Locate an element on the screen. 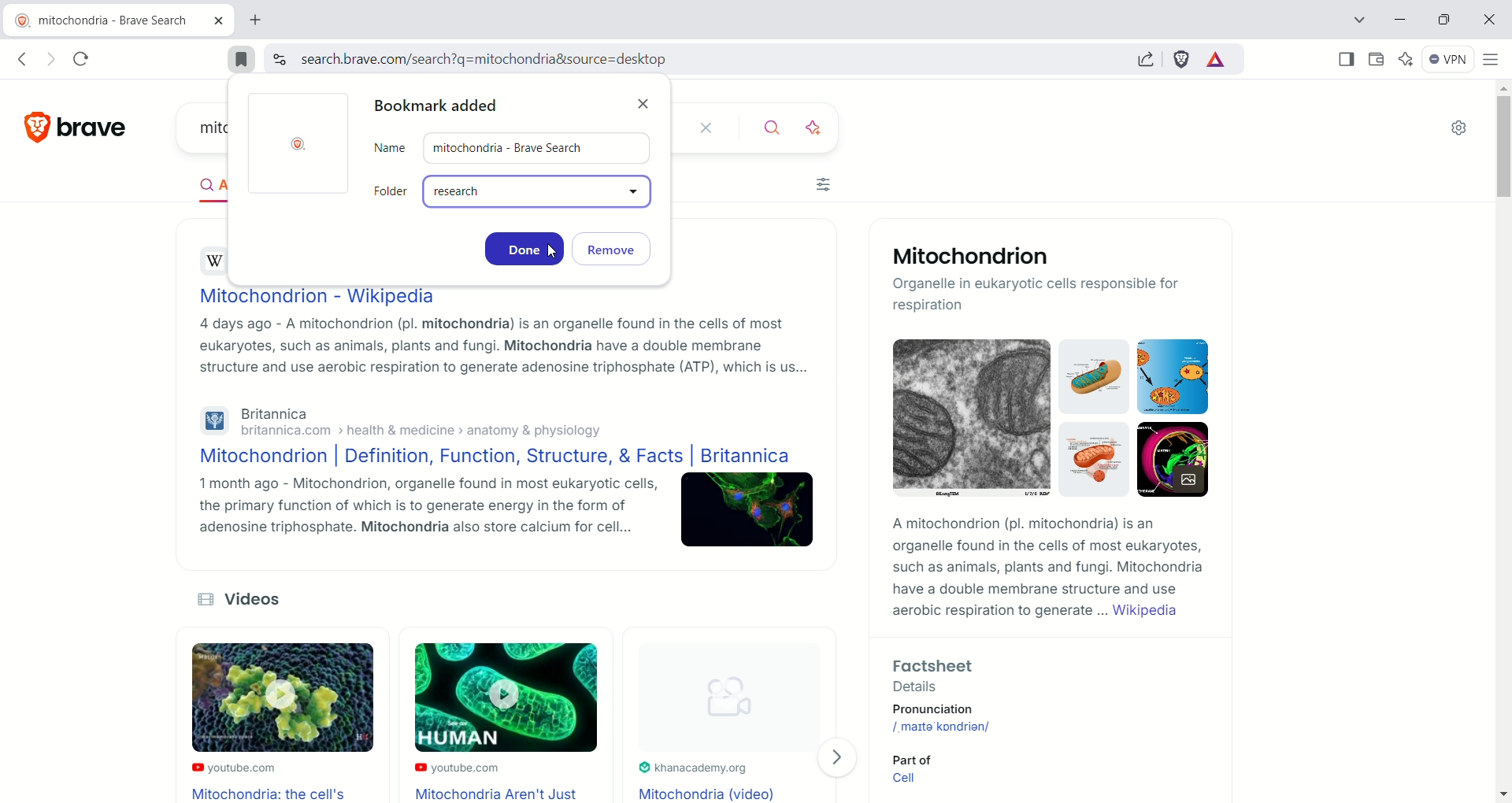 The width and height of the screenshot is (1512, 803).  search.brave.com/search?q=mitochondria&source=desktop is located at coordinates (480, 59).